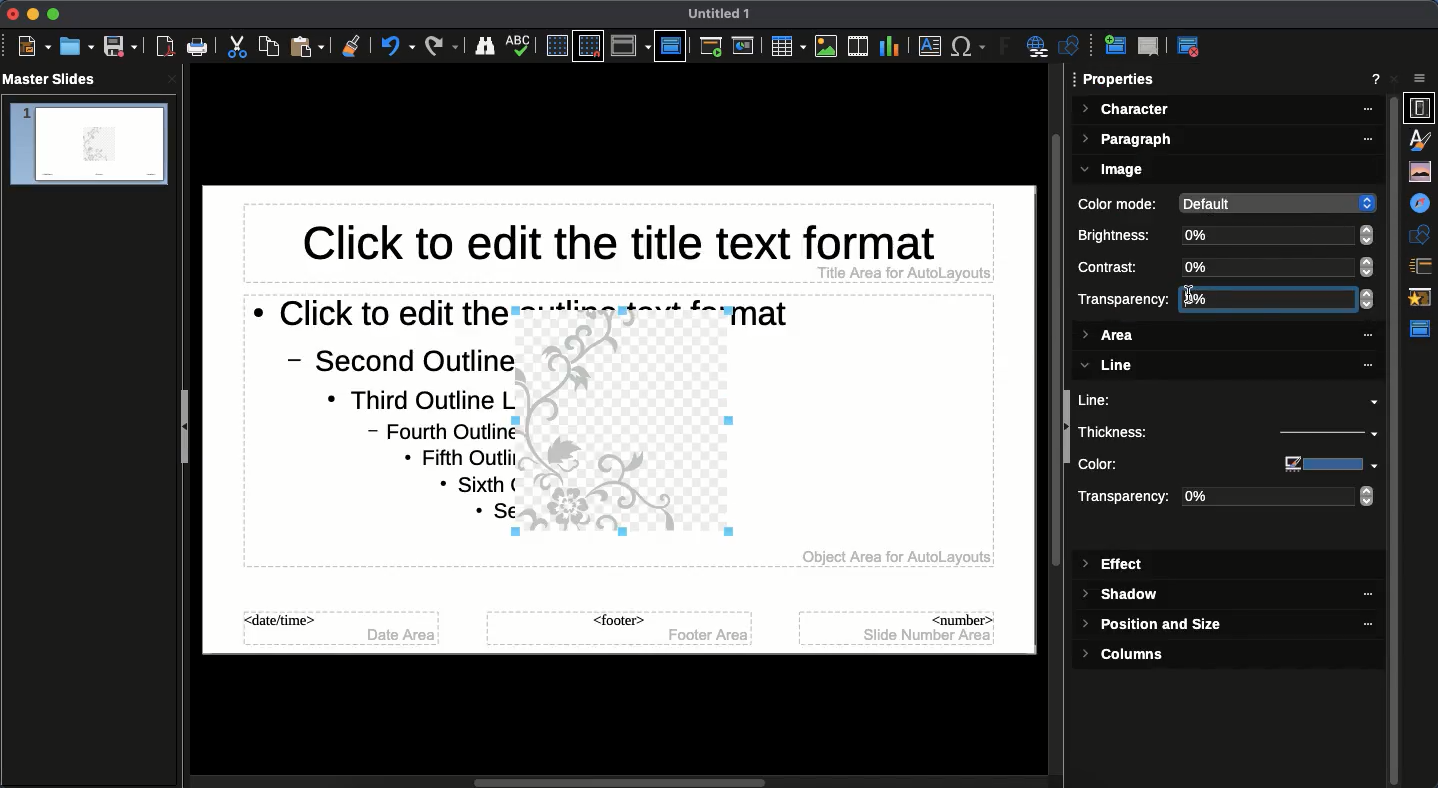 The height and width of the screenshot is (788, 1438). Describe the element at coordinates (898, 627) in the screenshot. I see `Master slide number` at that location.